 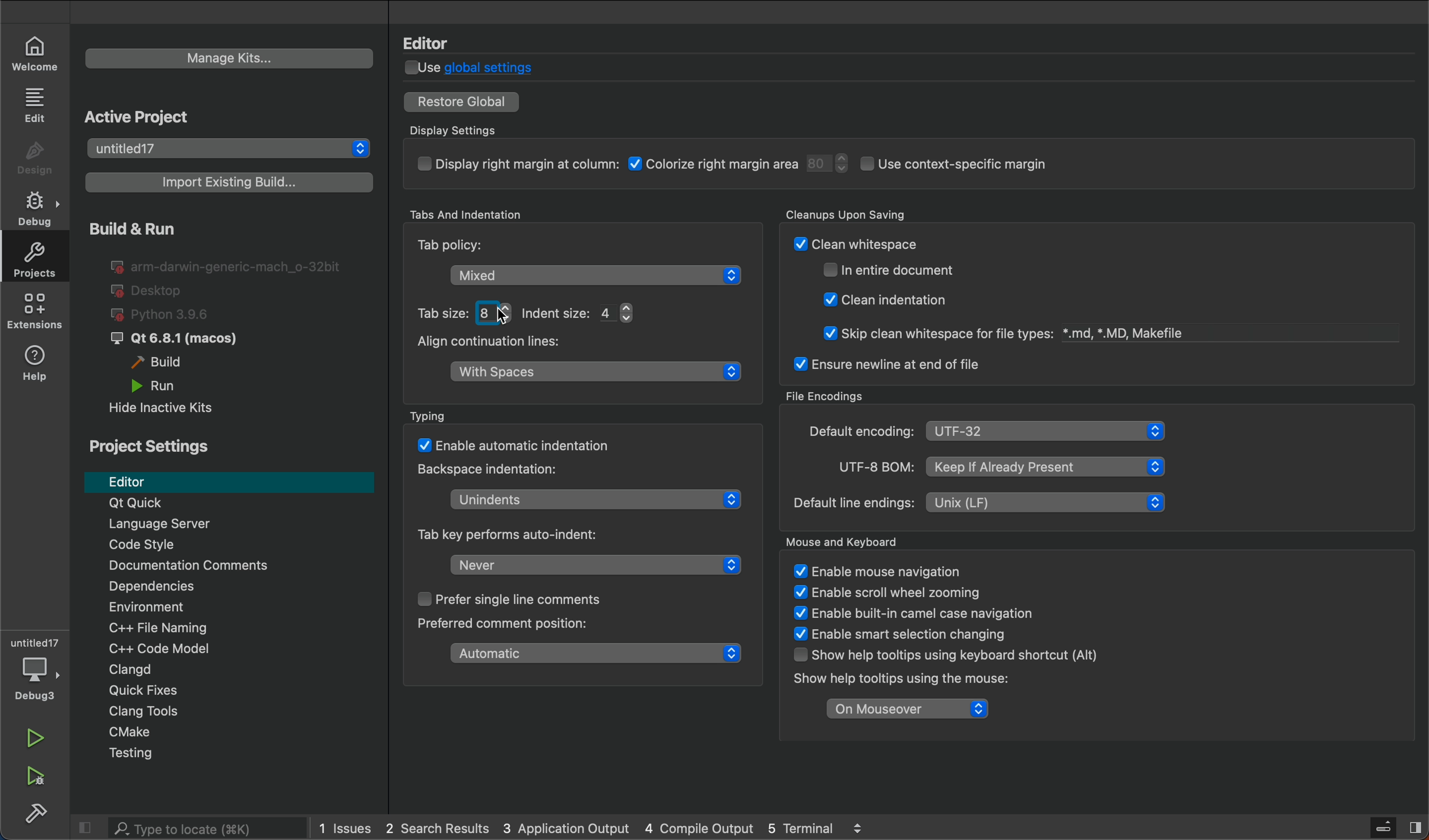 I want to click on Cleanups Upon Saving, so click(x=876, y=214).